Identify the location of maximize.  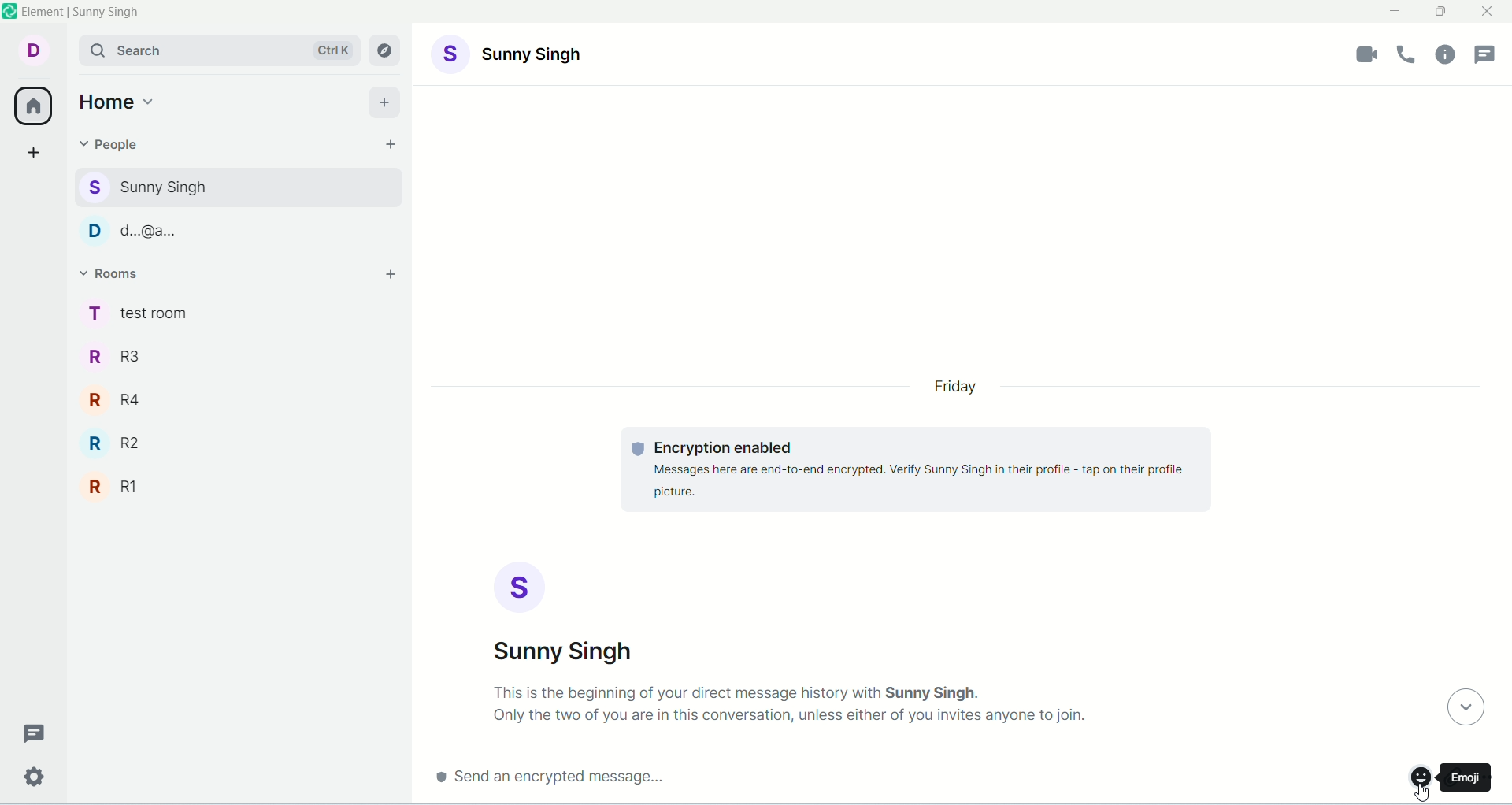
(1442, 10).